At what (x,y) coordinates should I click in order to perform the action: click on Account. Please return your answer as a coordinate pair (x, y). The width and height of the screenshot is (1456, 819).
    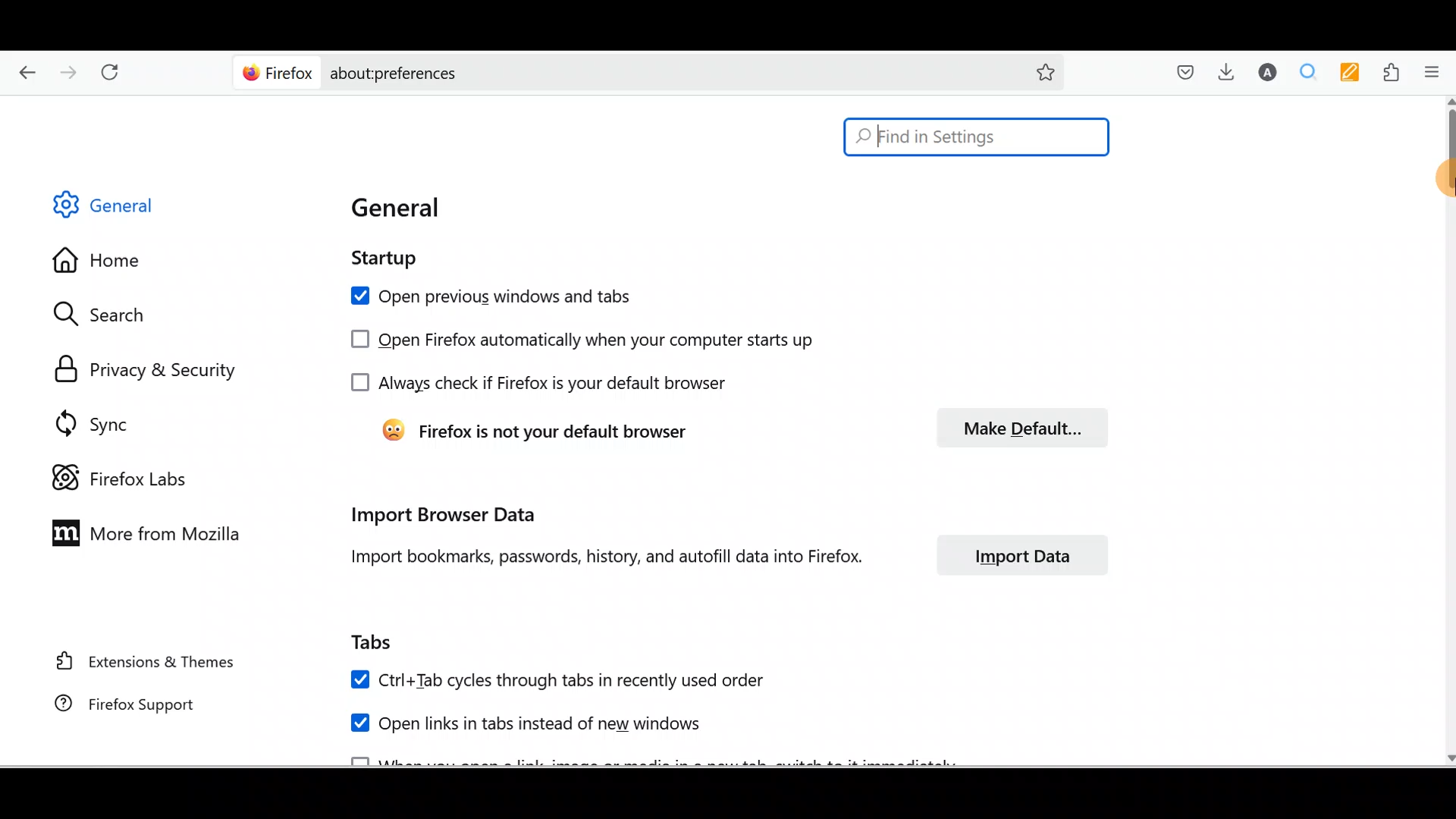
    Looking at the image, I should click on (1269, 74).